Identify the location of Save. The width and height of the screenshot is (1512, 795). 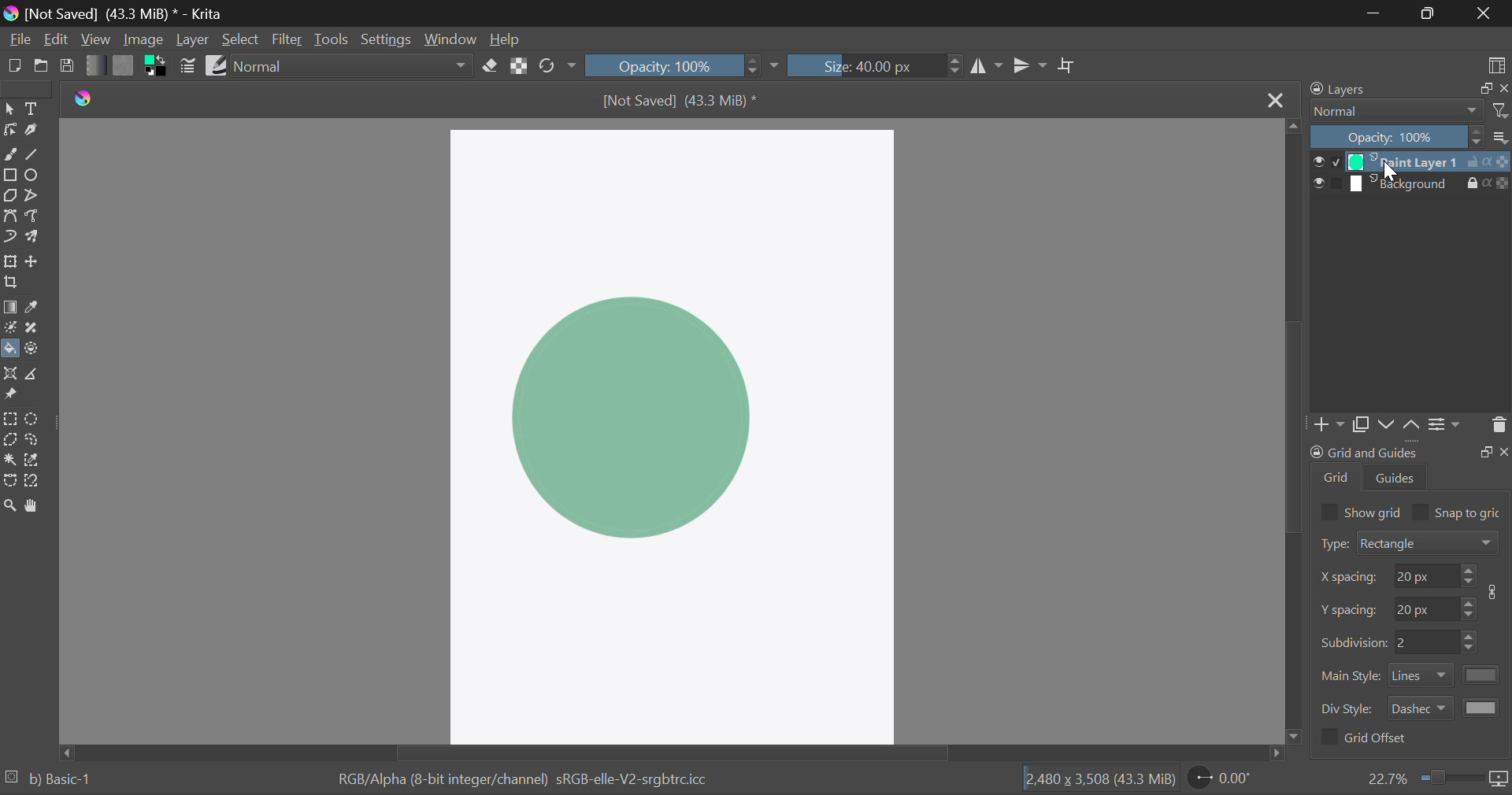
(68, 68).